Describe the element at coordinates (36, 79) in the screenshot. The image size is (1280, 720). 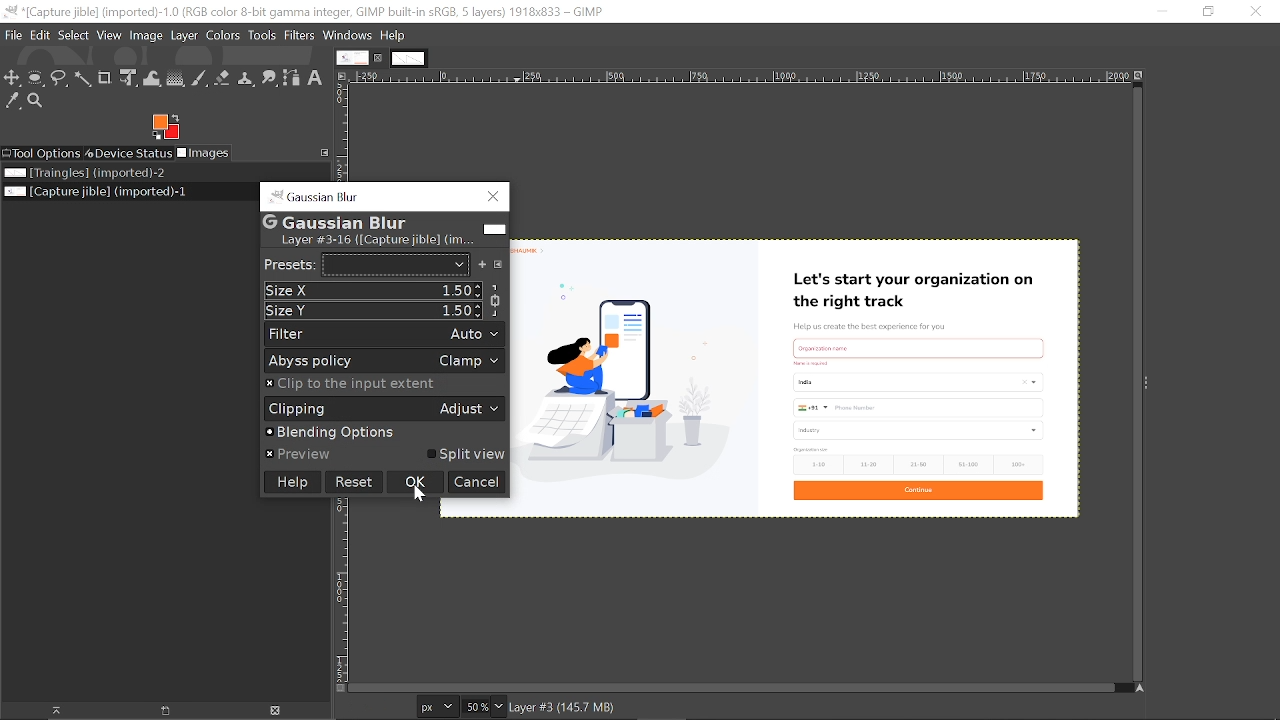
I see `Ellipse select tool` at that location.